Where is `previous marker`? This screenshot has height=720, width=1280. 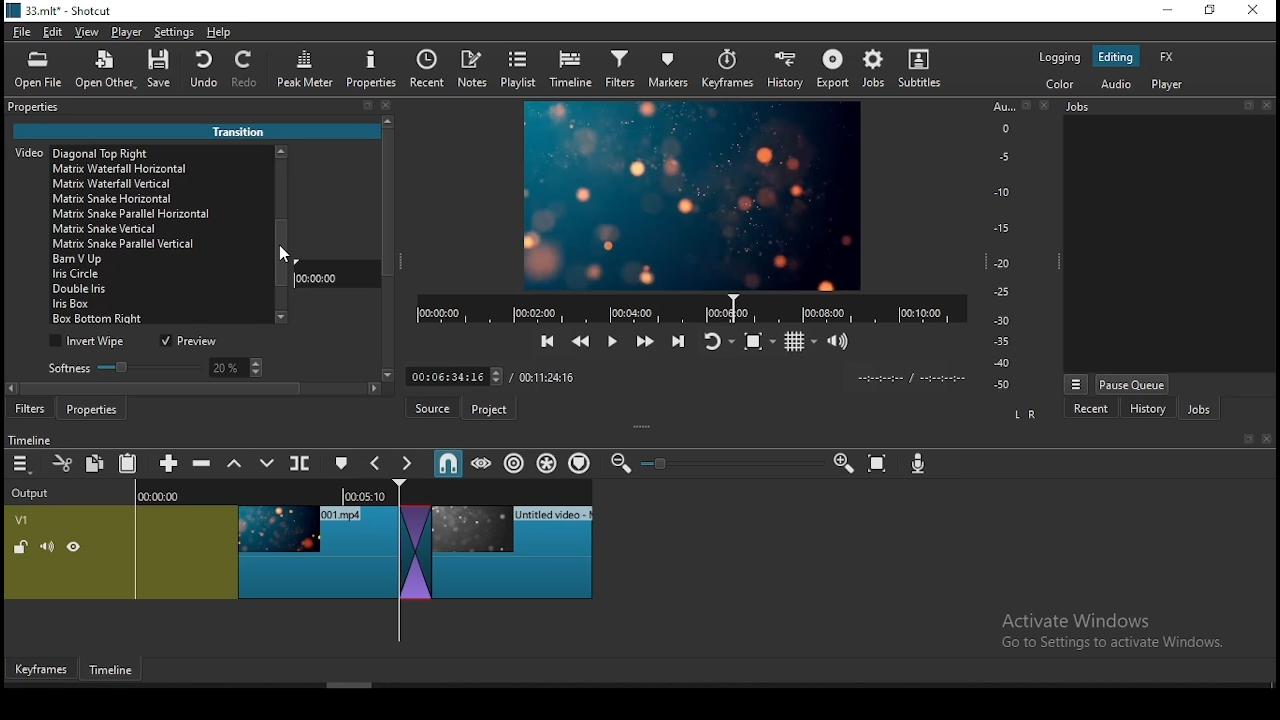
previous marker is located at coordinates (377, 463).